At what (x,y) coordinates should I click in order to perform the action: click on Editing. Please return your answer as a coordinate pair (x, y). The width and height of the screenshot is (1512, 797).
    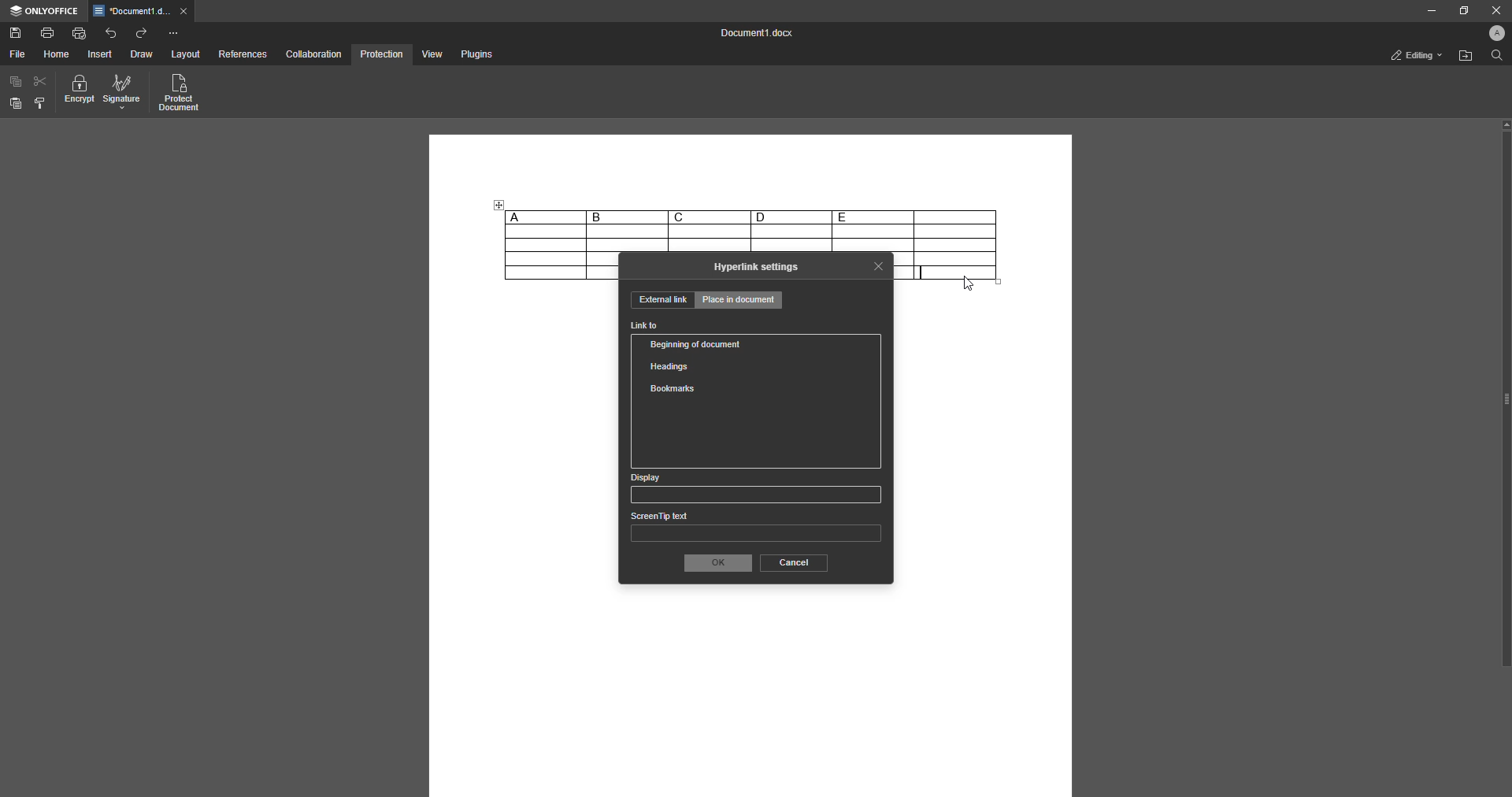
    Looking at the image, I should click on (1412, 55).